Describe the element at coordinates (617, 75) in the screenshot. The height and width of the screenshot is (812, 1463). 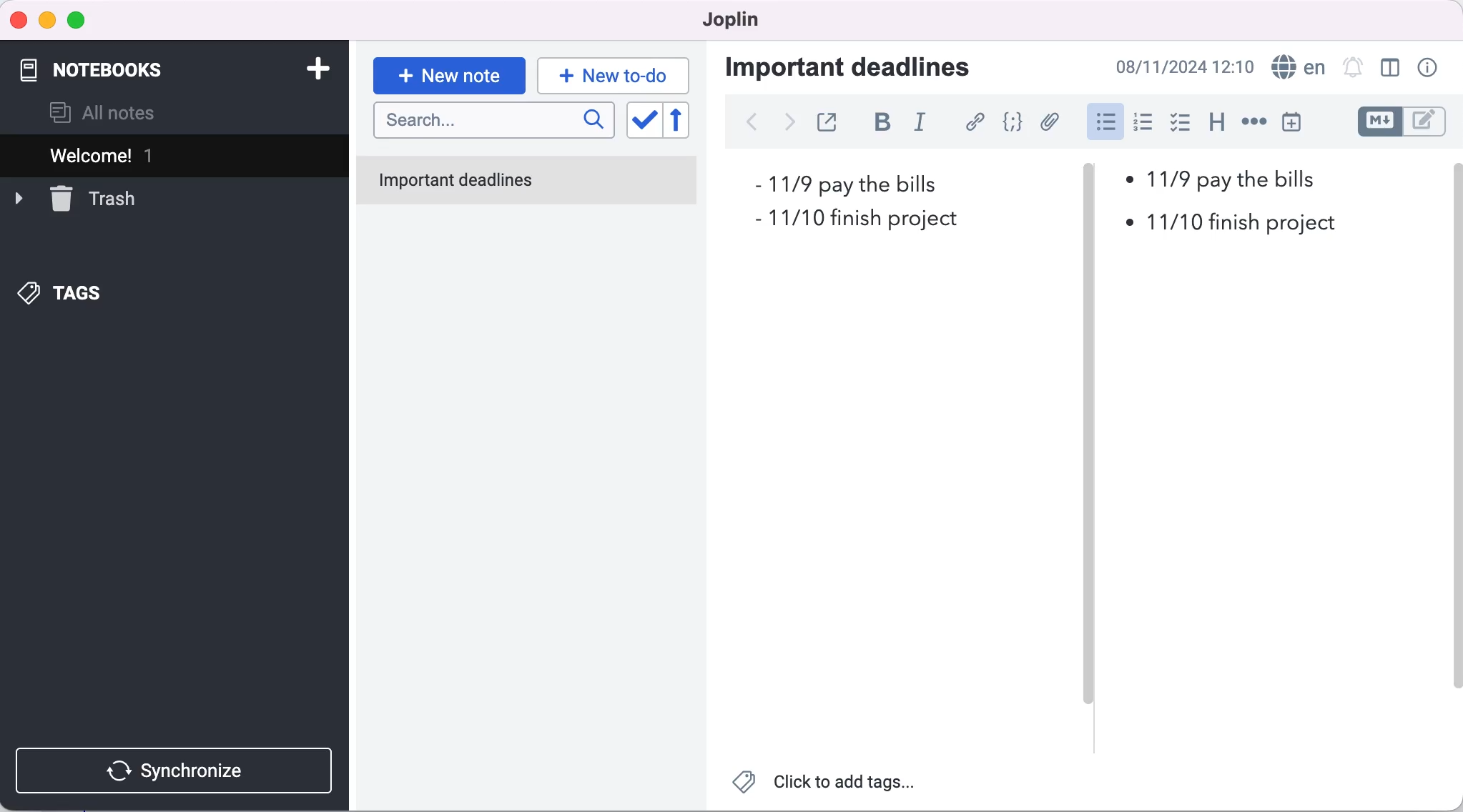
I see `new to-do` at that location.